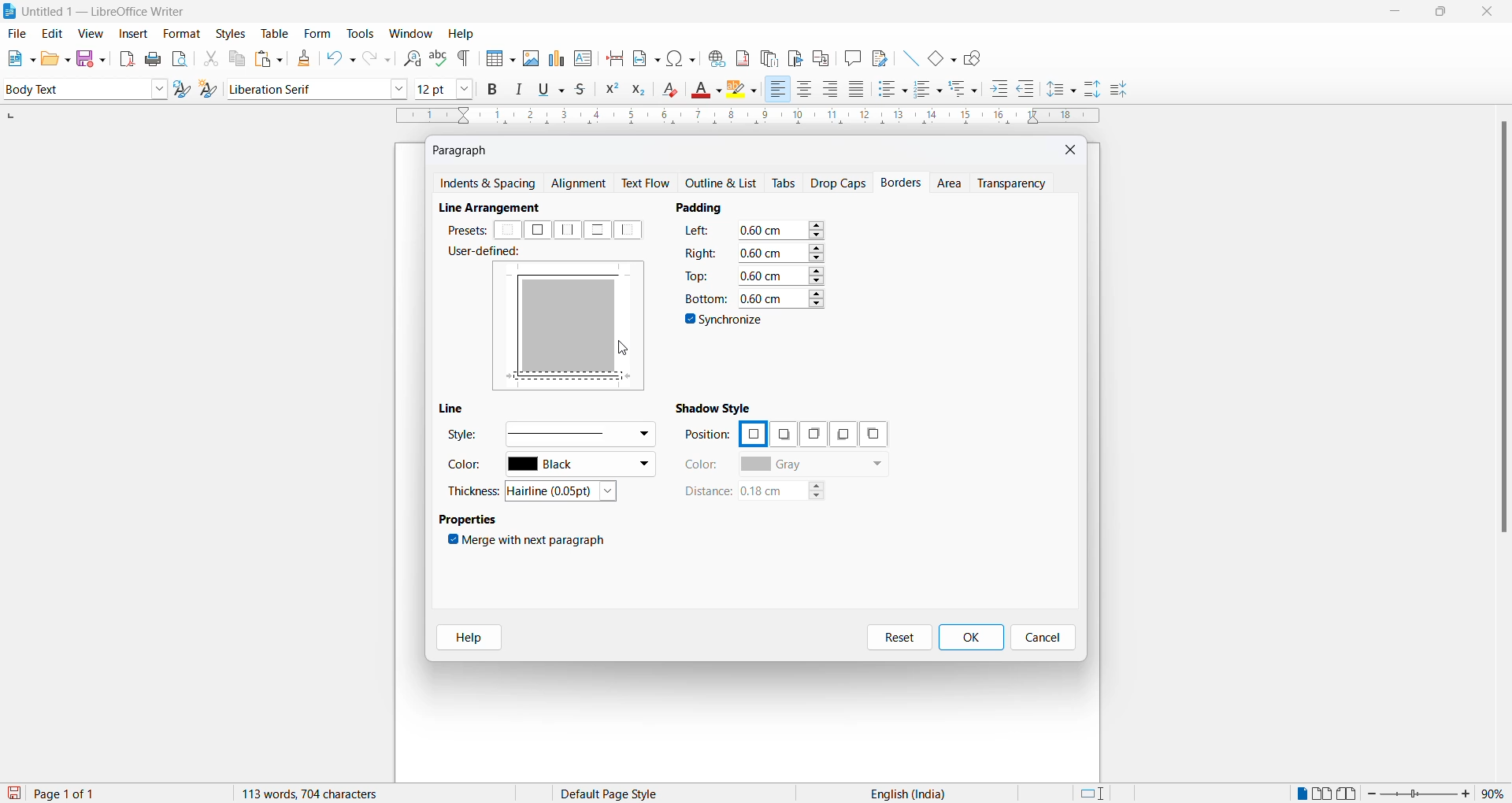 Image resolution: width=1512 pixels, height=803 pixels. What do you see at coordinates (878, 57) in the screenshot?
I see `insert cross-reference` at bounding box center [878, 57].